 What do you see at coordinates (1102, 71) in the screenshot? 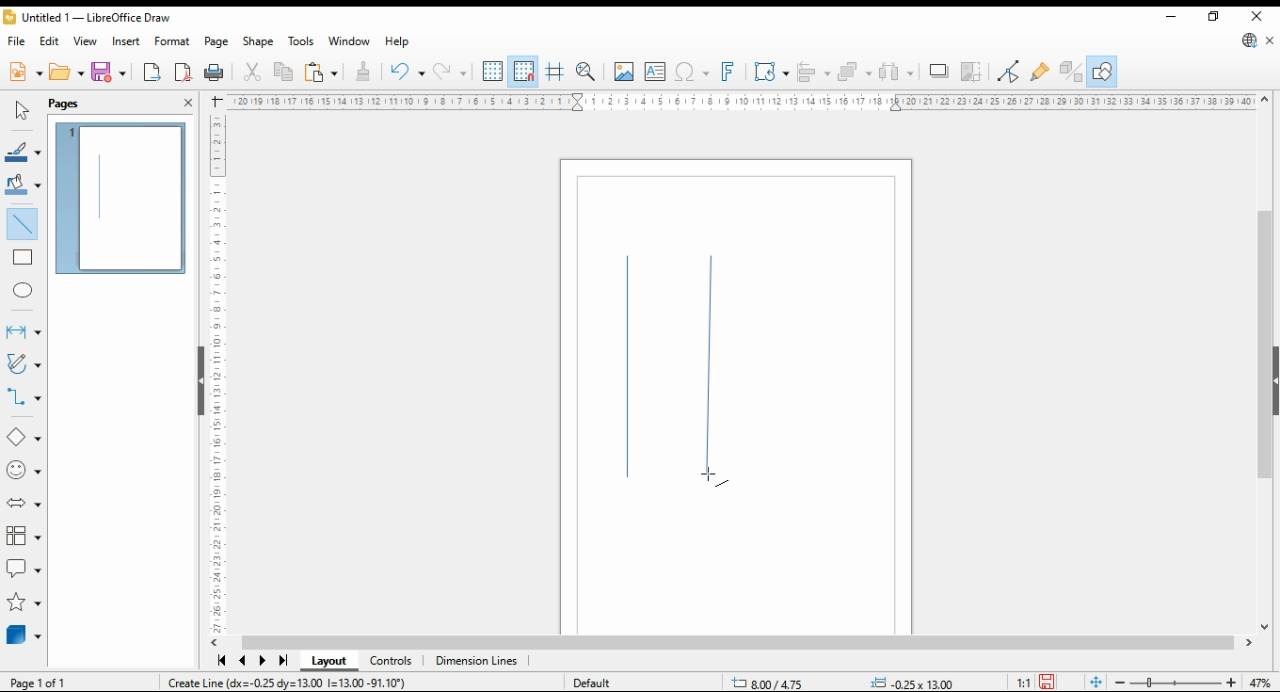
I see `show draw functions` at bounding box center [1102, 71].